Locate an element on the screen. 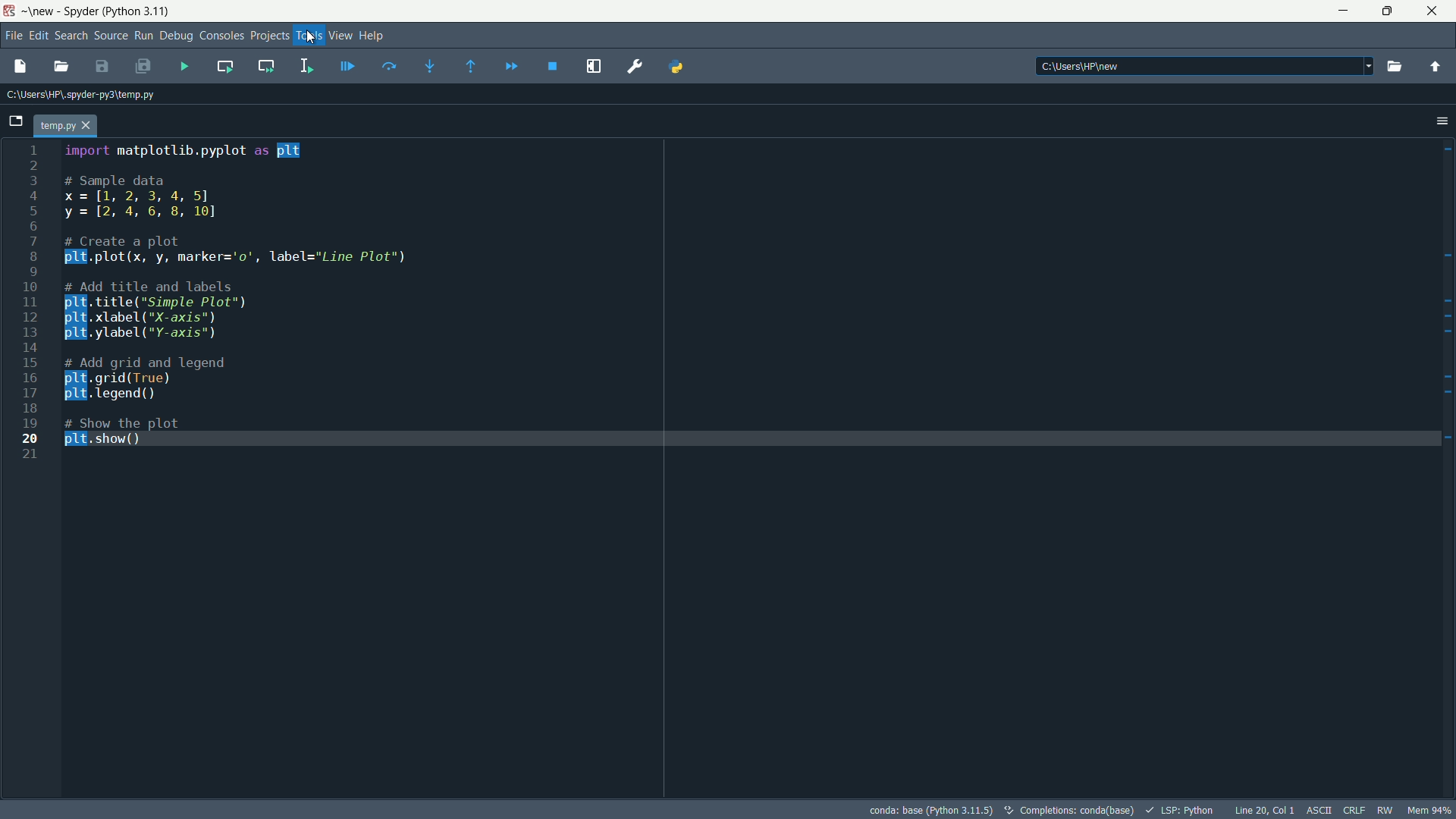 The width and height of the screenshot is (1456, 819). ~\new - Spyder (Python 3.11) is located at coordinates (96, 11).